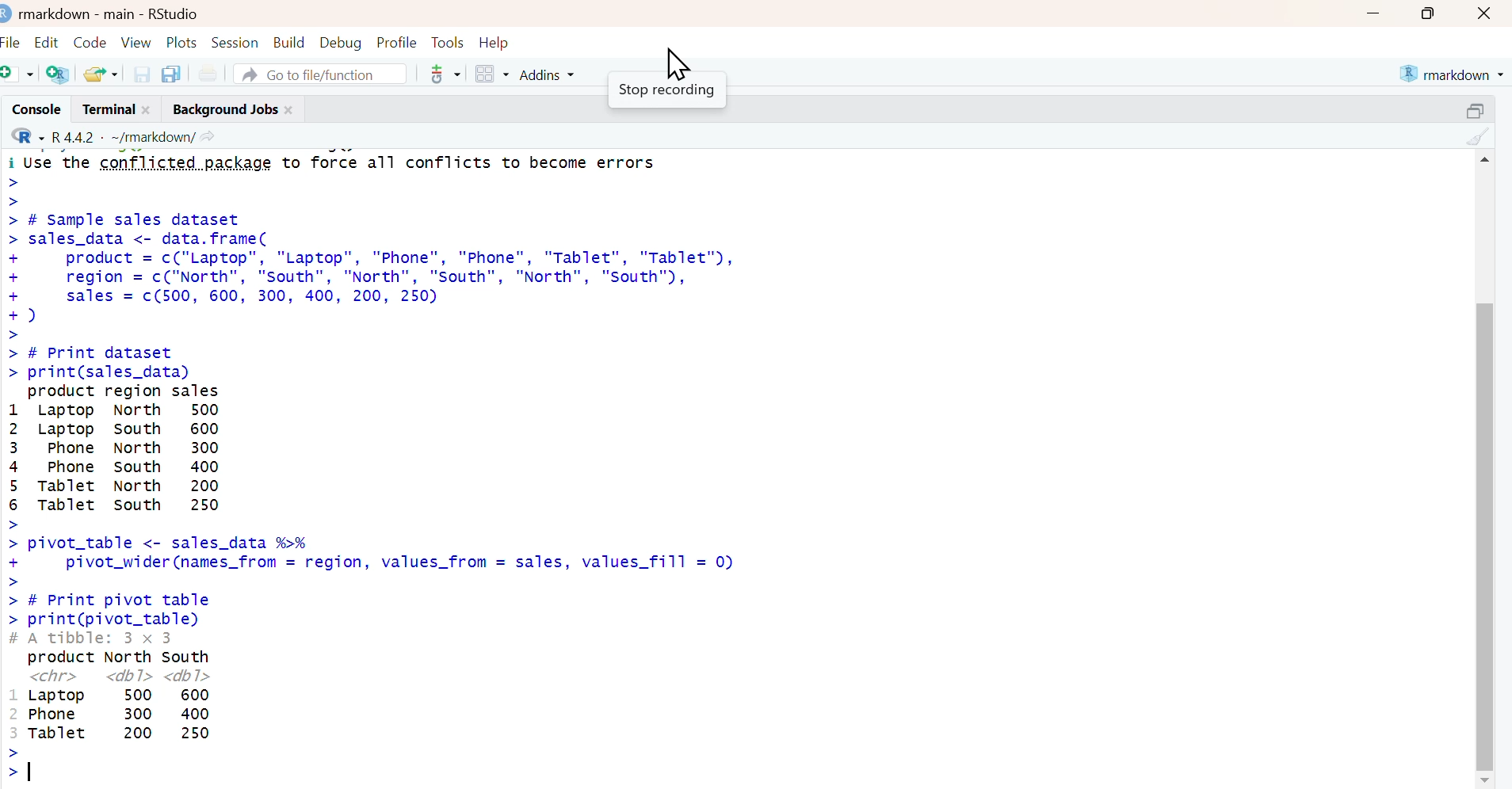 The width and height of the screenshot is (1512, 789). I want to click on Addins, so click(550, 74).